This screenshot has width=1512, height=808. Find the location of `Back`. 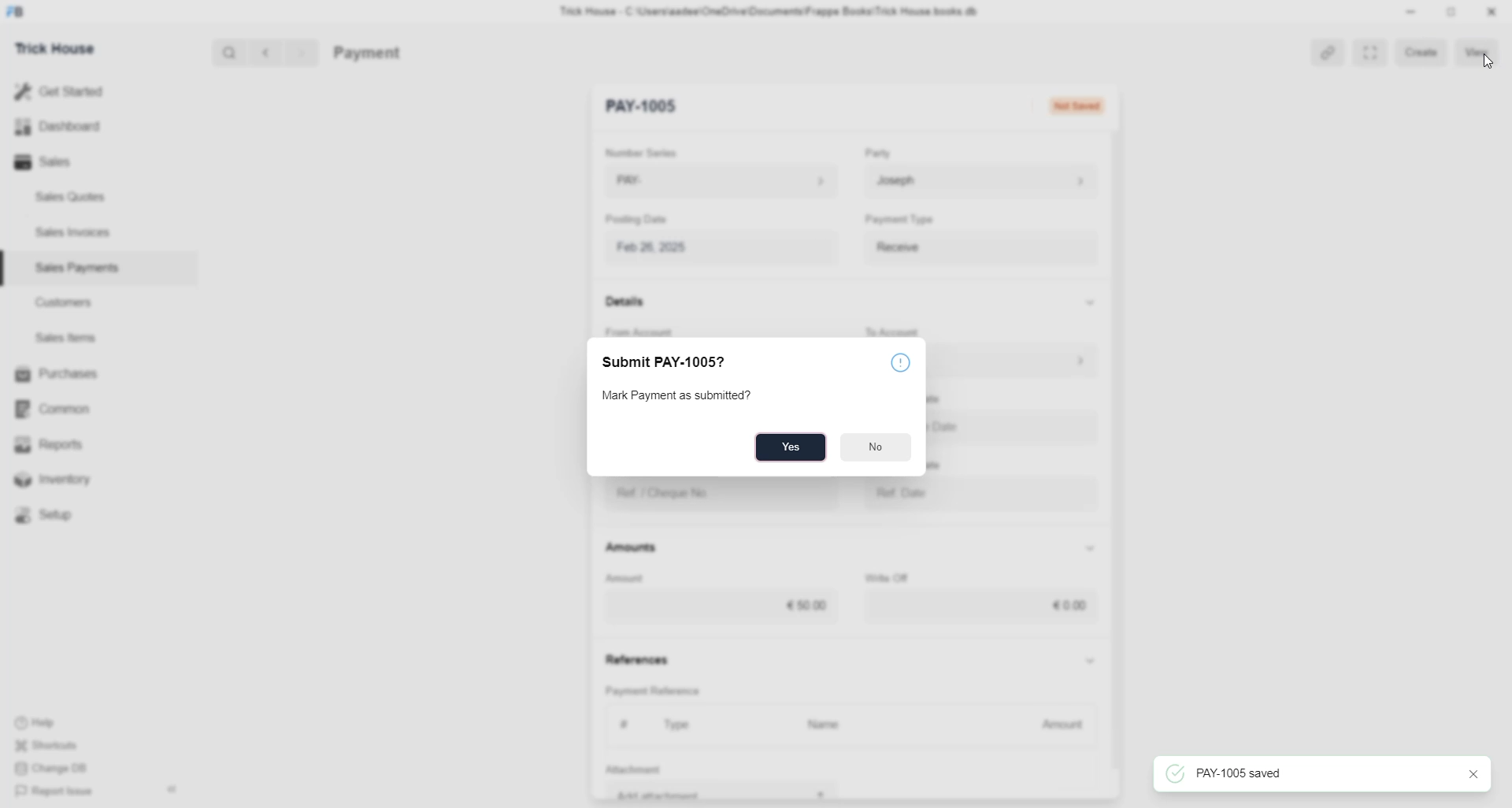

Back is located at coordinates (266, 54).